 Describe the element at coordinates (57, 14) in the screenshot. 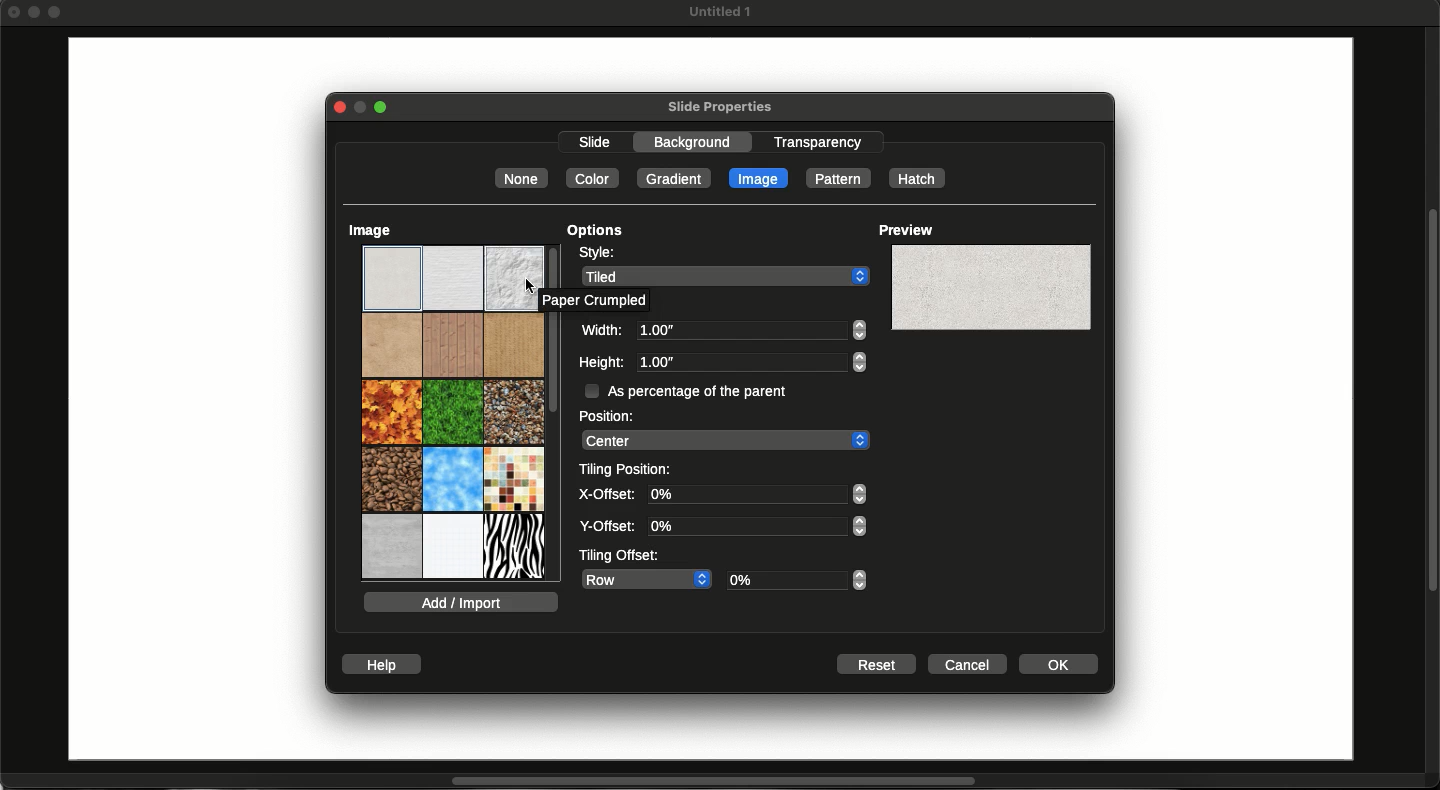

I see `Maximize` at that location.